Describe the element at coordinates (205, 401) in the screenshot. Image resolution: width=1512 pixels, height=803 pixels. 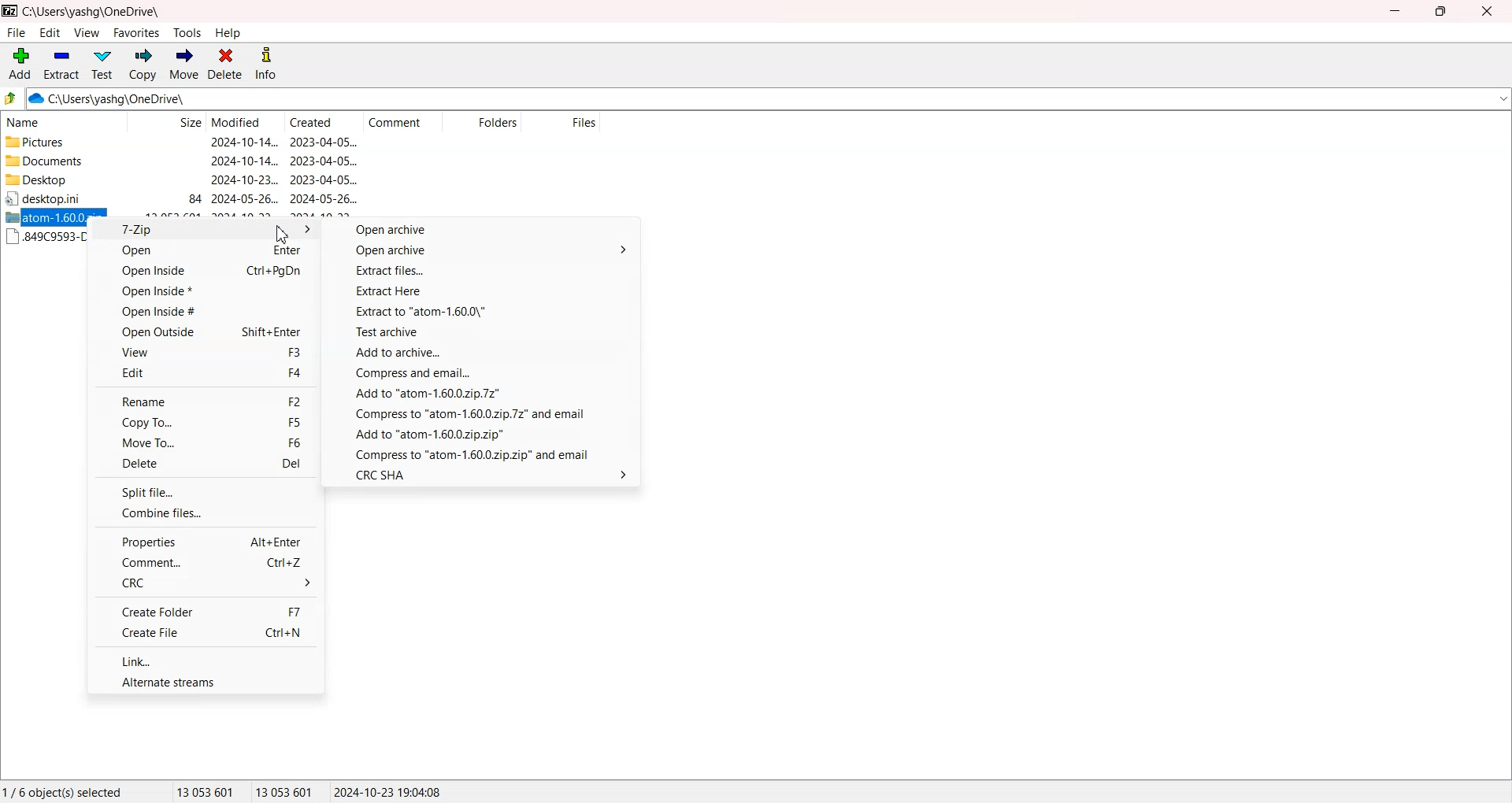
I see `Rename` at that location.